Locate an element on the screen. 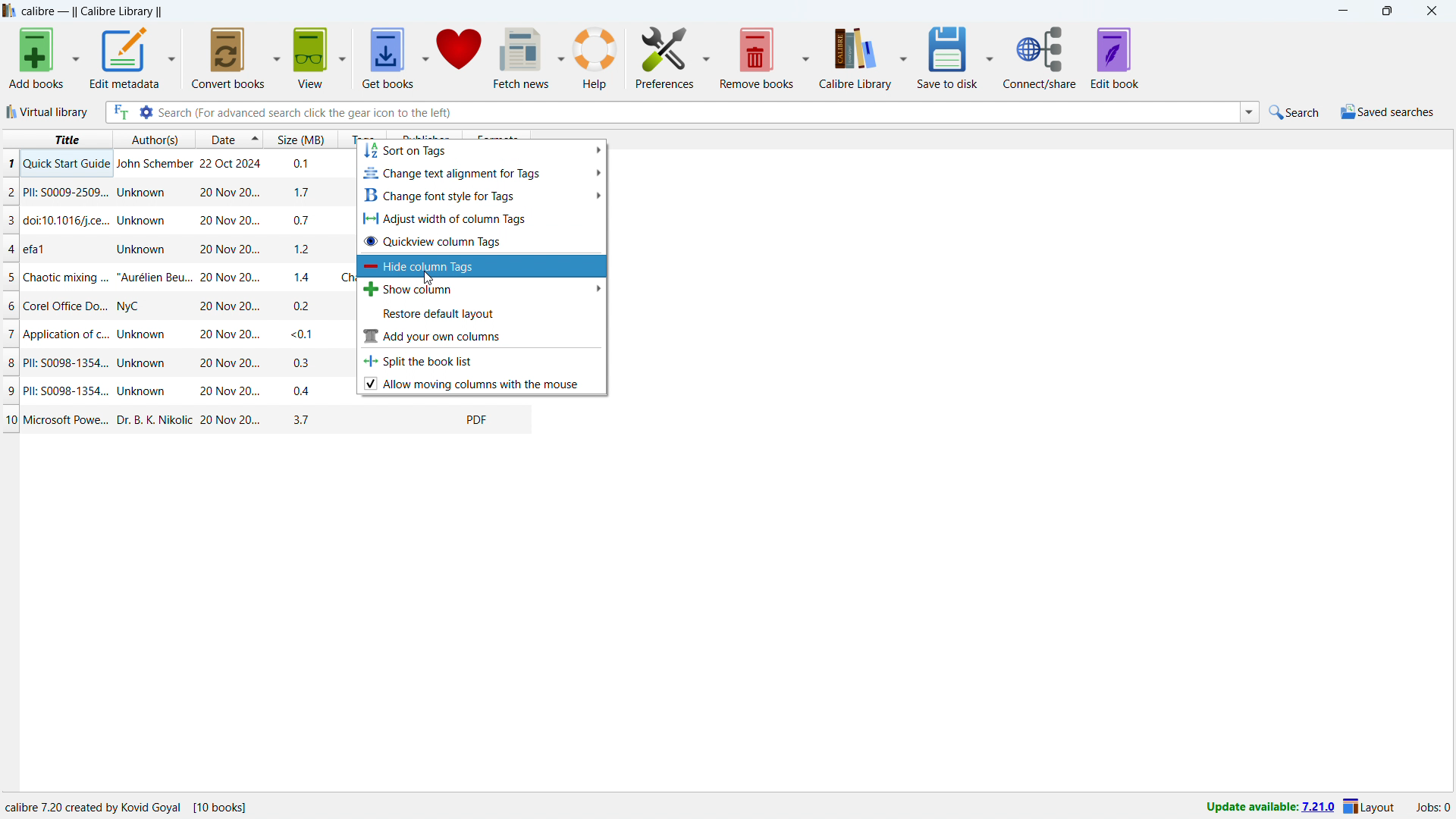  sort by size is located at coordinates (236, 137).